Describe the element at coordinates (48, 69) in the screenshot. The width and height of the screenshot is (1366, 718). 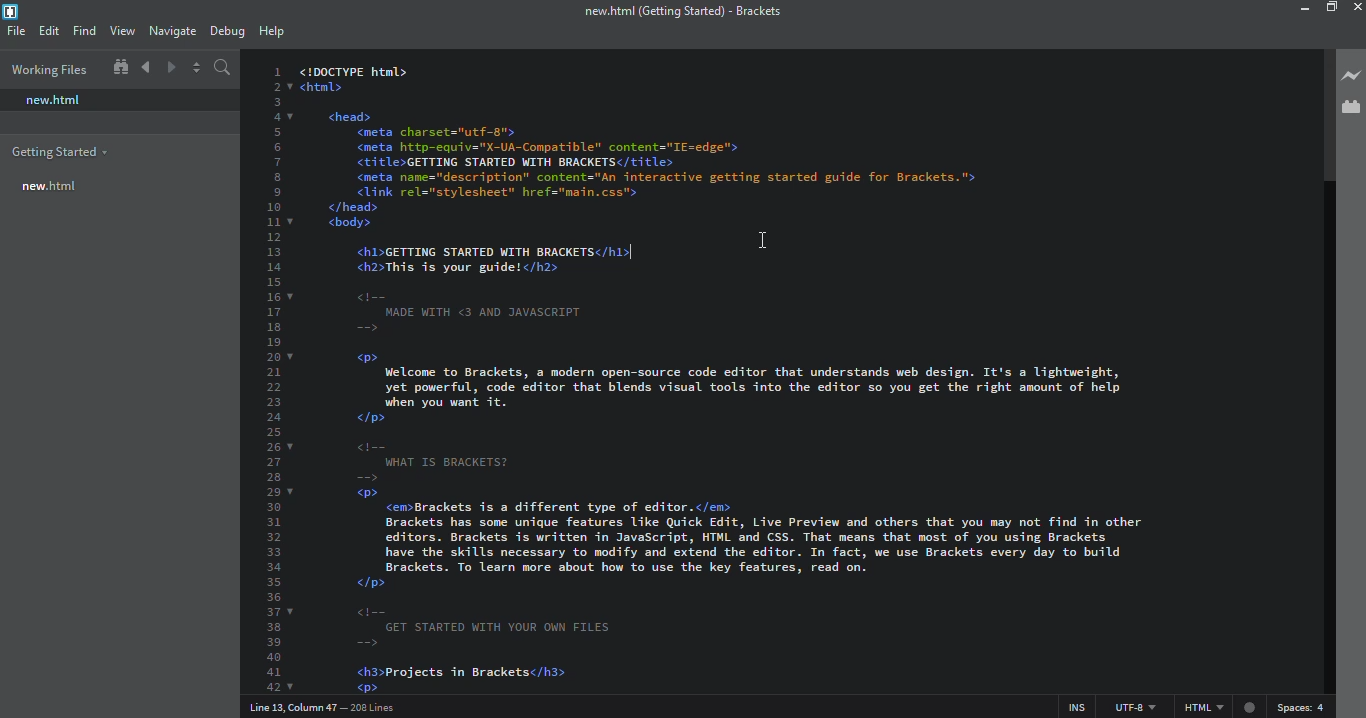
I see `working files` at that location.